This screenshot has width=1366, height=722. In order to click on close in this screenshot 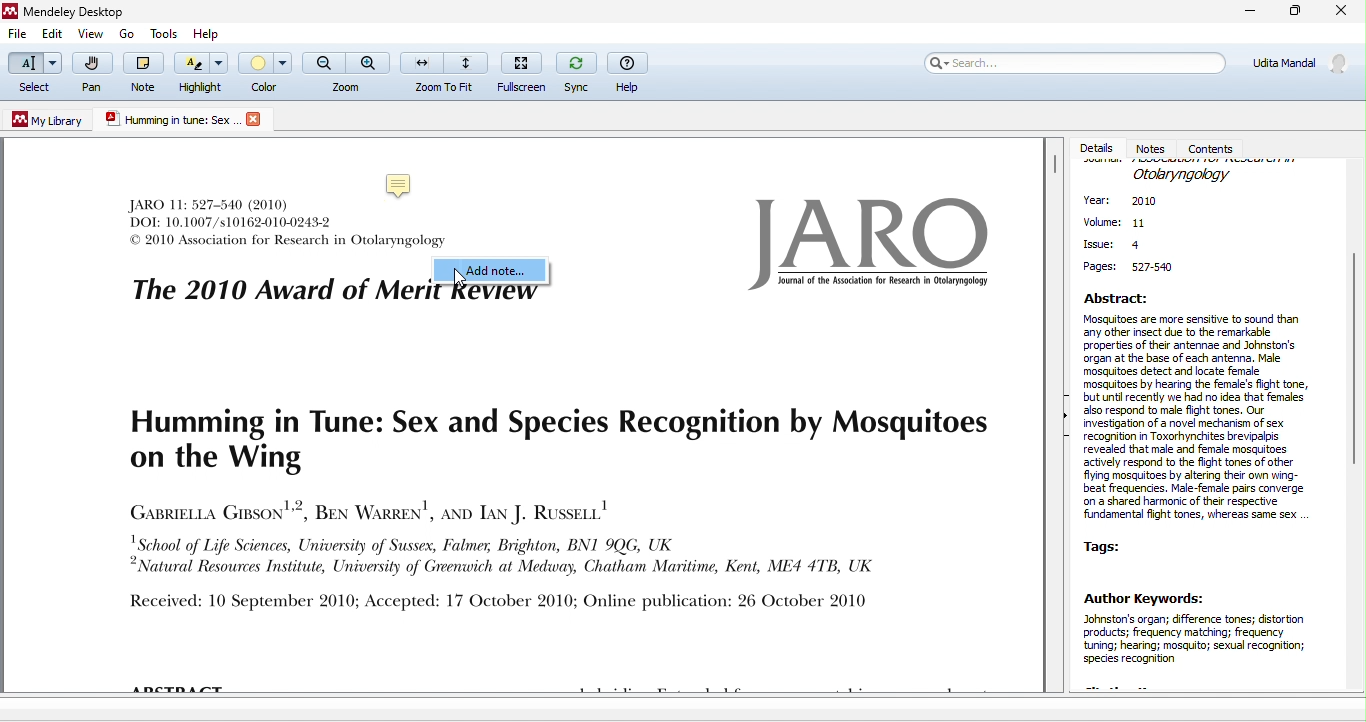, I will do `click(1342, 12)`.